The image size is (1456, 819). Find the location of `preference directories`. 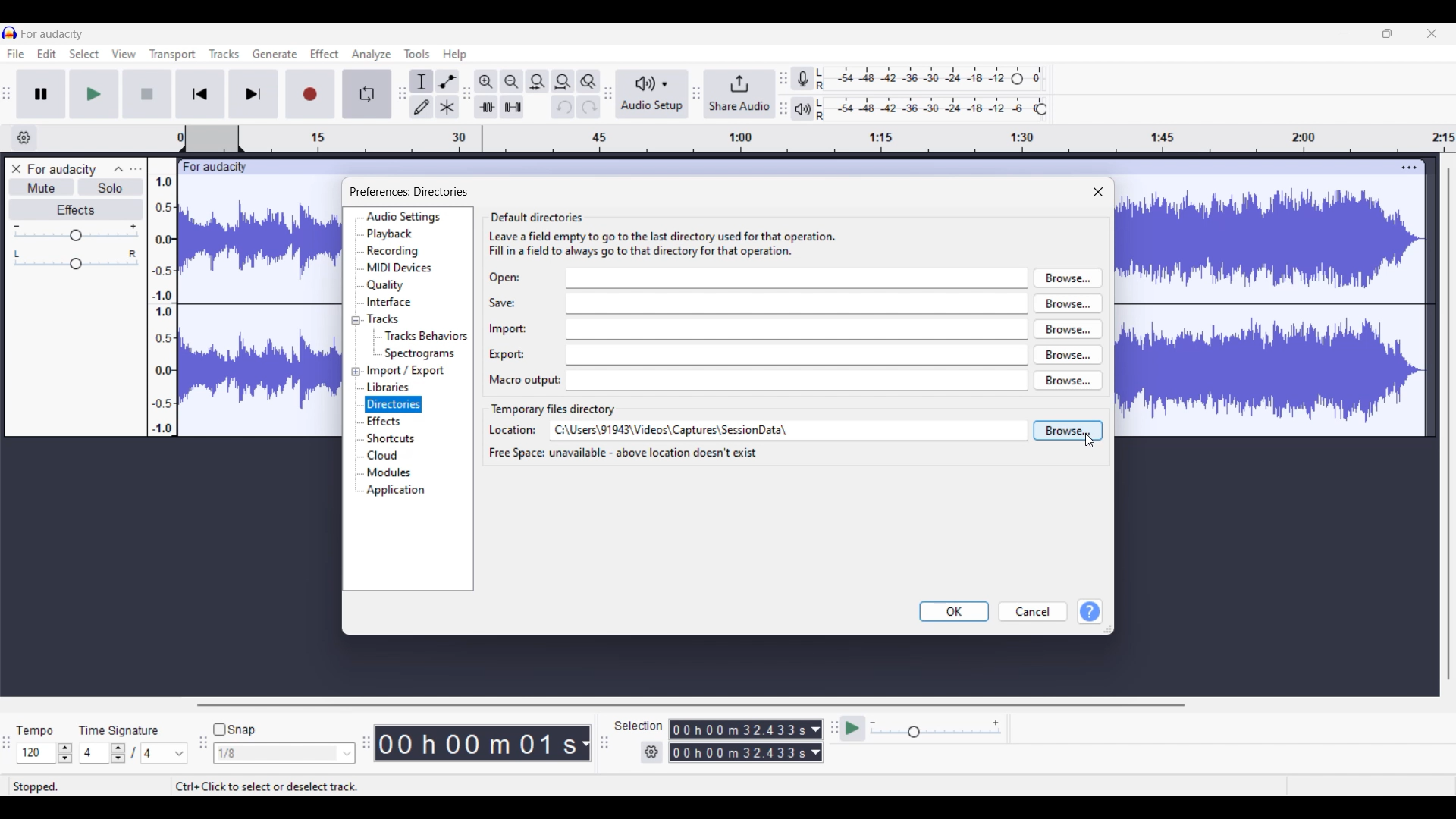

preference directories is located at coordinates (407, 192).